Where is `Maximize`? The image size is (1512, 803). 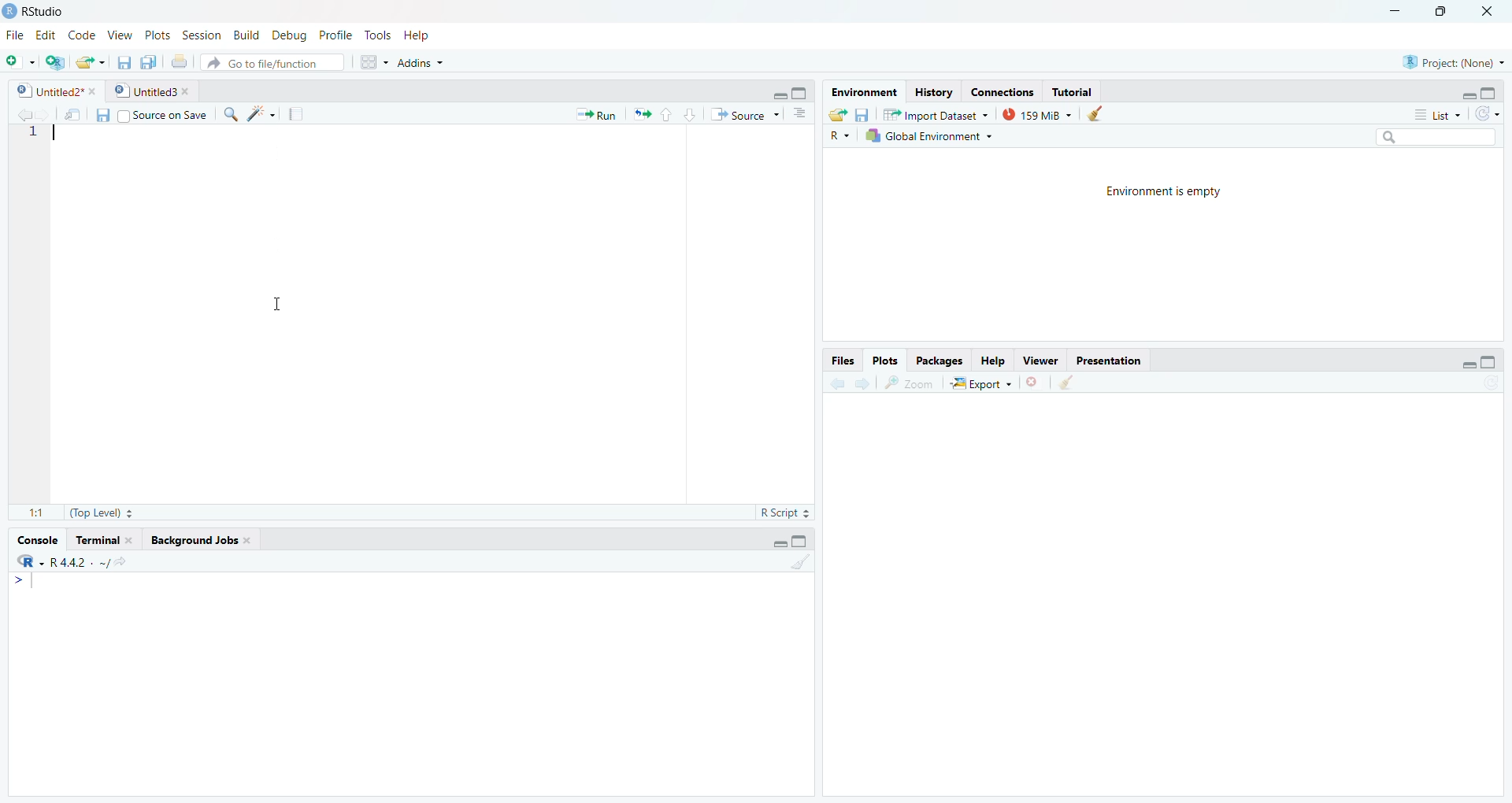 Maximize is located at coordinates (799, 541).